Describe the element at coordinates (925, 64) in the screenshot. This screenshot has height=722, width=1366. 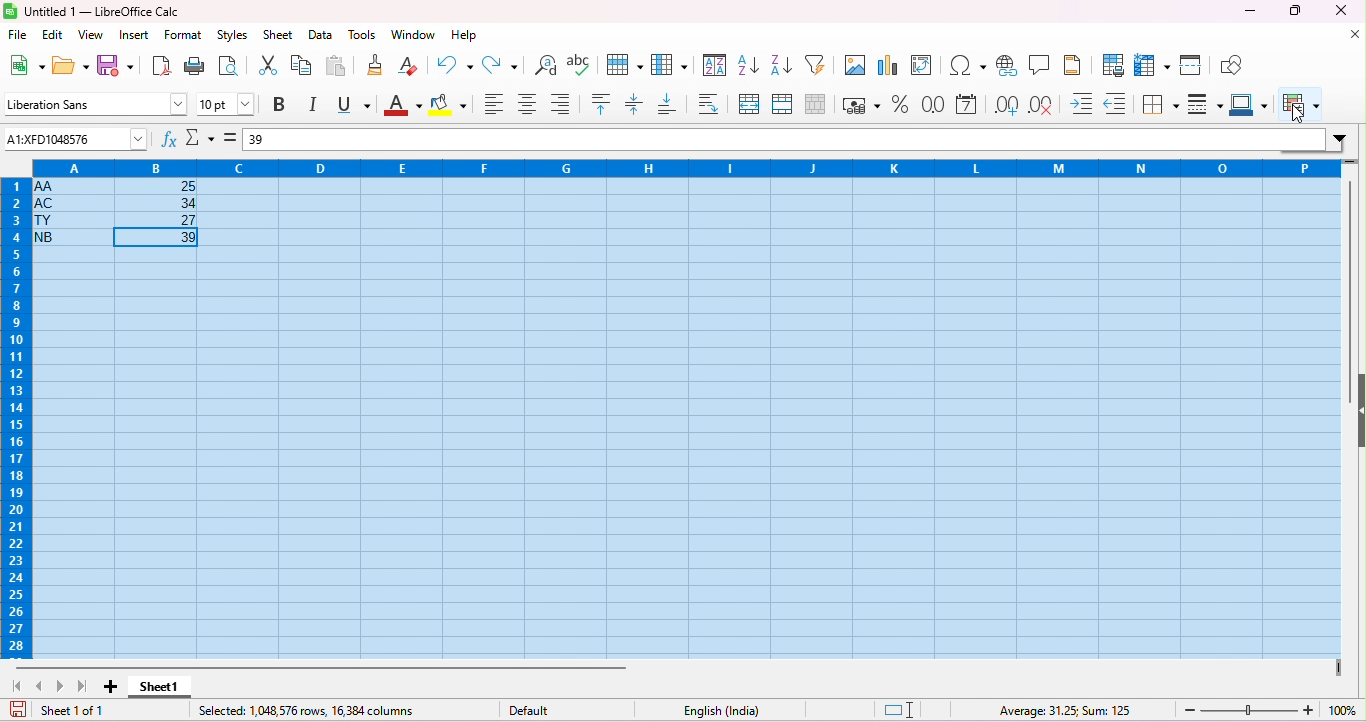
I see `insert pivot table` at that location.